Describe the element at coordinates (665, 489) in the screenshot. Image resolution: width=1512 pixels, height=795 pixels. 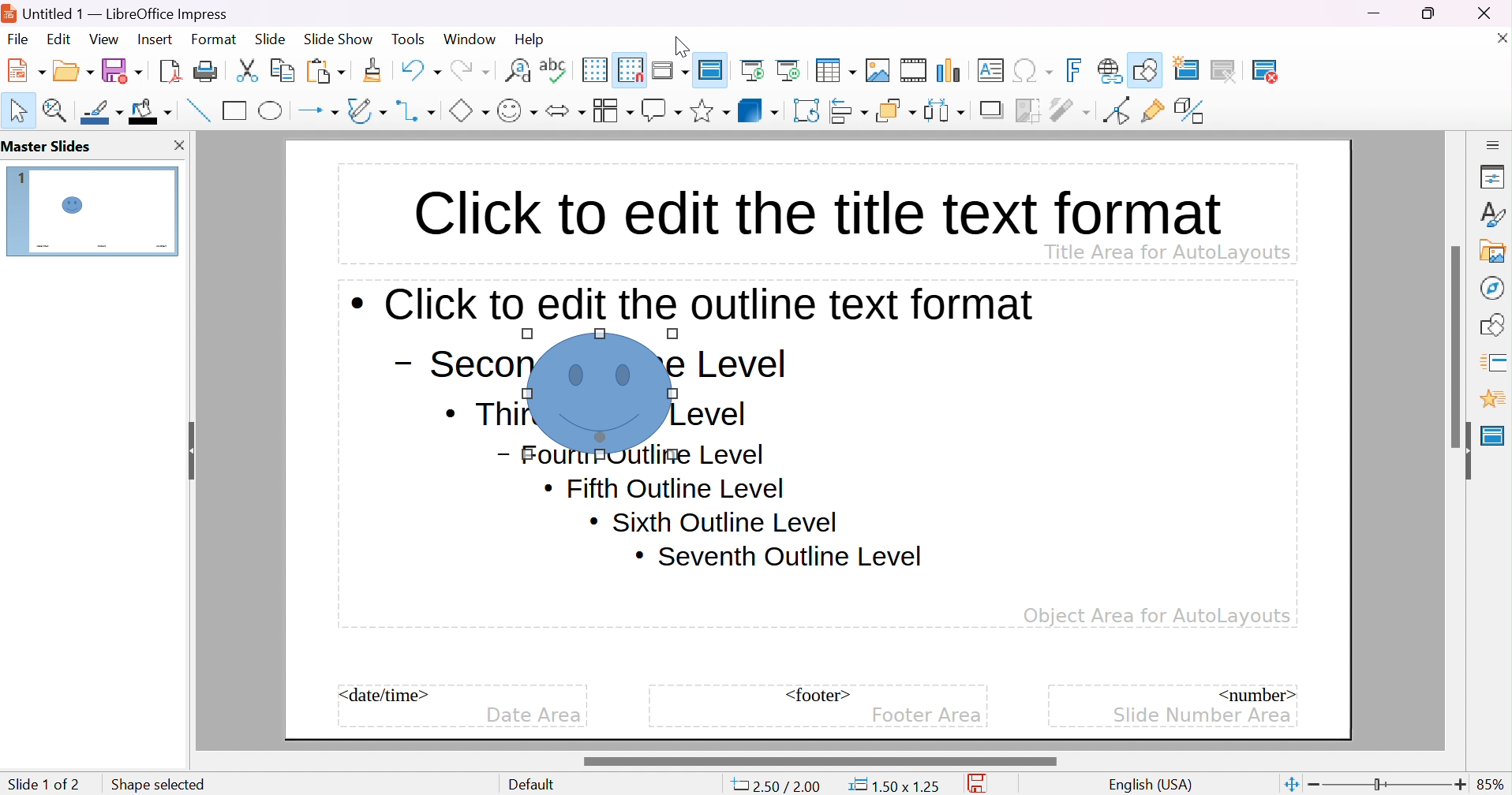
I see `sixth outline level` at that location.